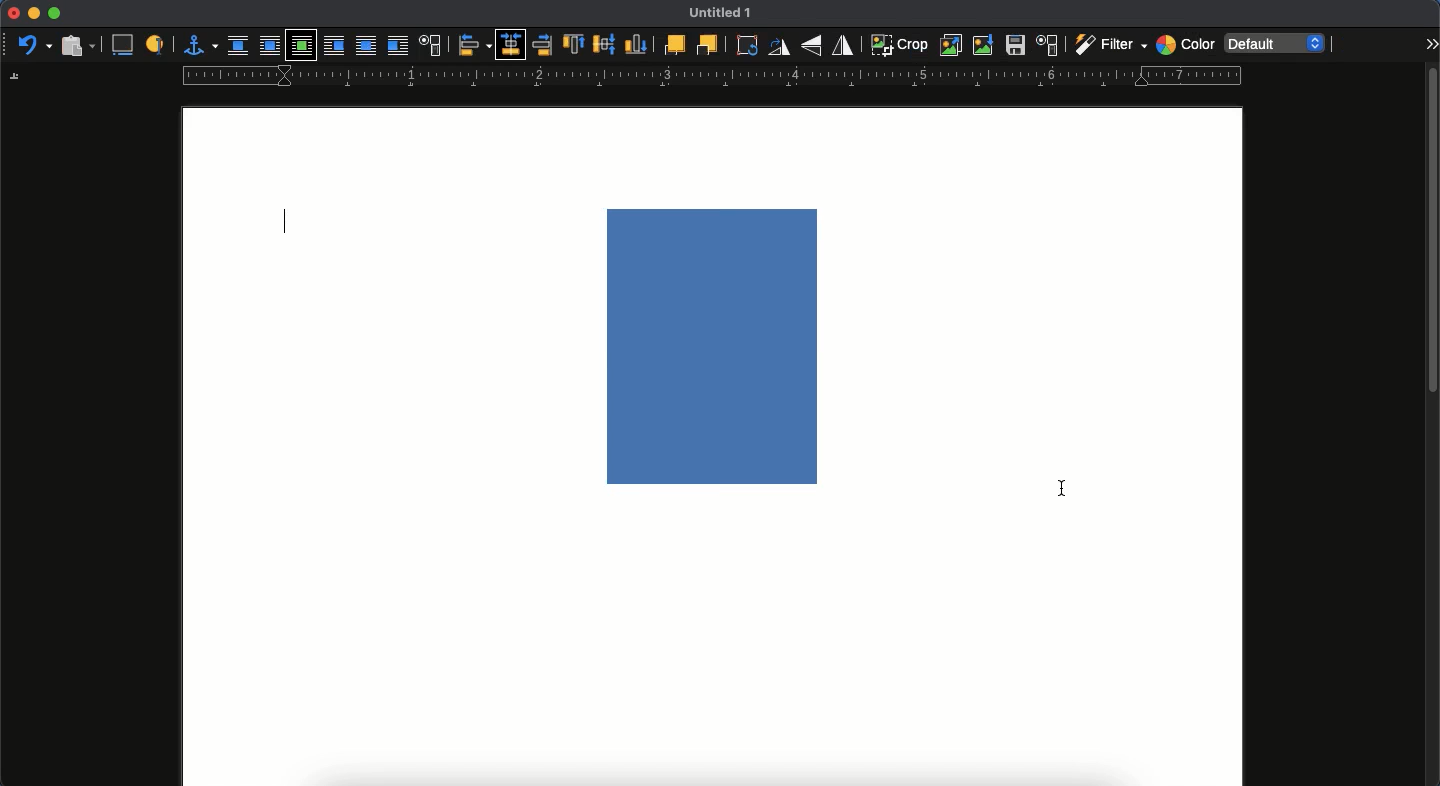 The width and height of the screenshot is (1440, 786). What do you see at coordinates (271, 48) in the screenshot?
I see `parallel` at bounding box center [271, 48].